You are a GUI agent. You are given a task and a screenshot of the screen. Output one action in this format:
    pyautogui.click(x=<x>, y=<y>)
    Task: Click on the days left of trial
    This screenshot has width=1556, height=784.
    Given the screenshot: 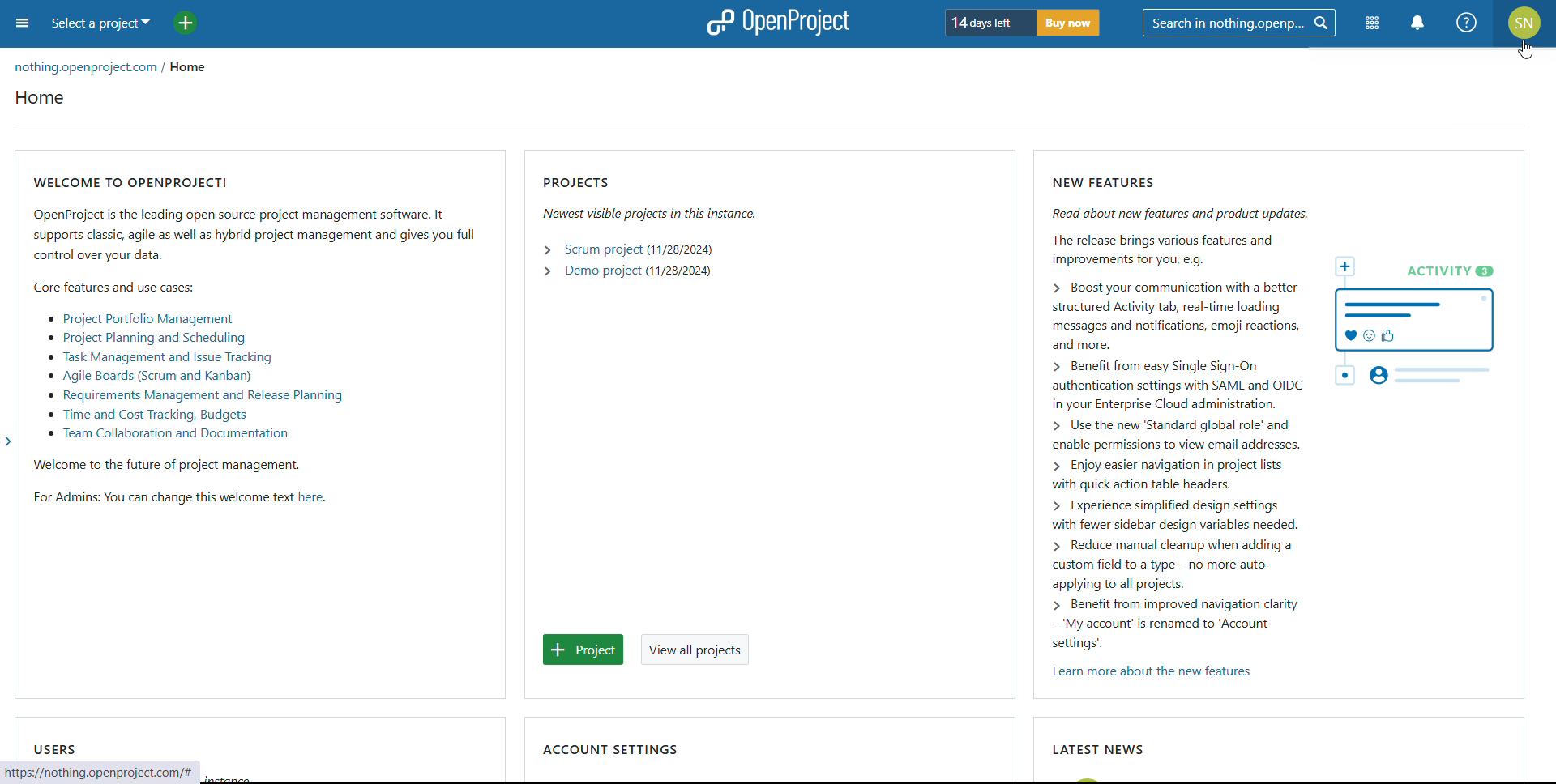 What is the action you would take?
    pyautogui.click(x=986, y=22)
    